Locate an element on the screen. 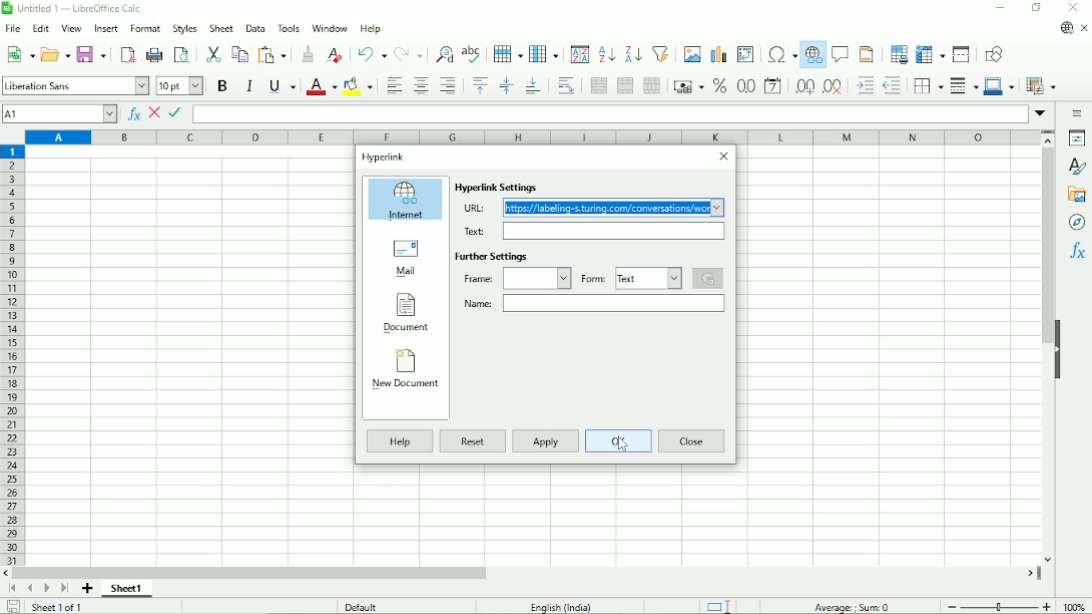 This screenshot has height=614, width=1092. Insert or edit pivot table is located at coordinates (745, 53).